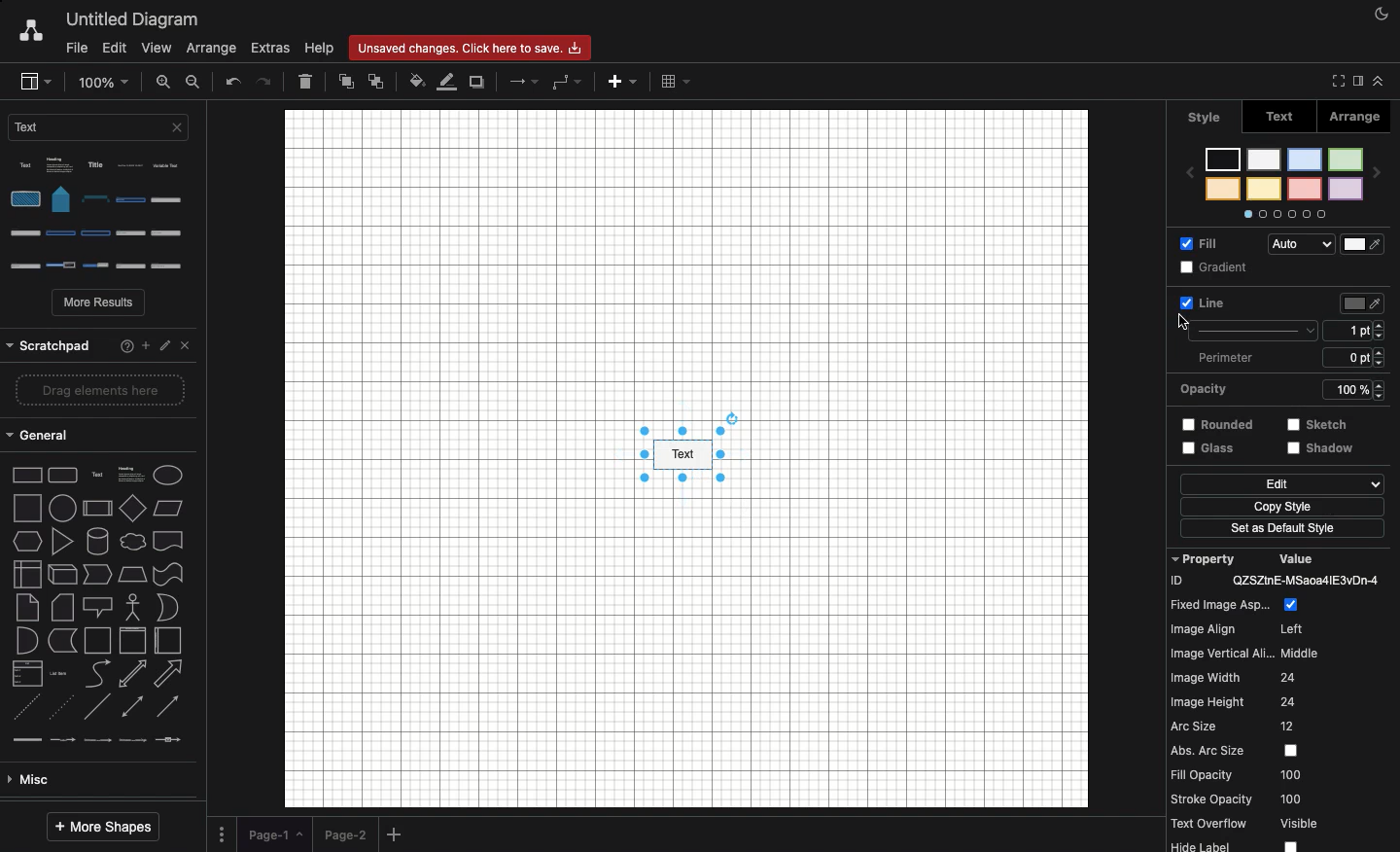 Image resolution: width=1400 pixels, height=852 pixels. I want to click on More shapes, so click(102, 828).